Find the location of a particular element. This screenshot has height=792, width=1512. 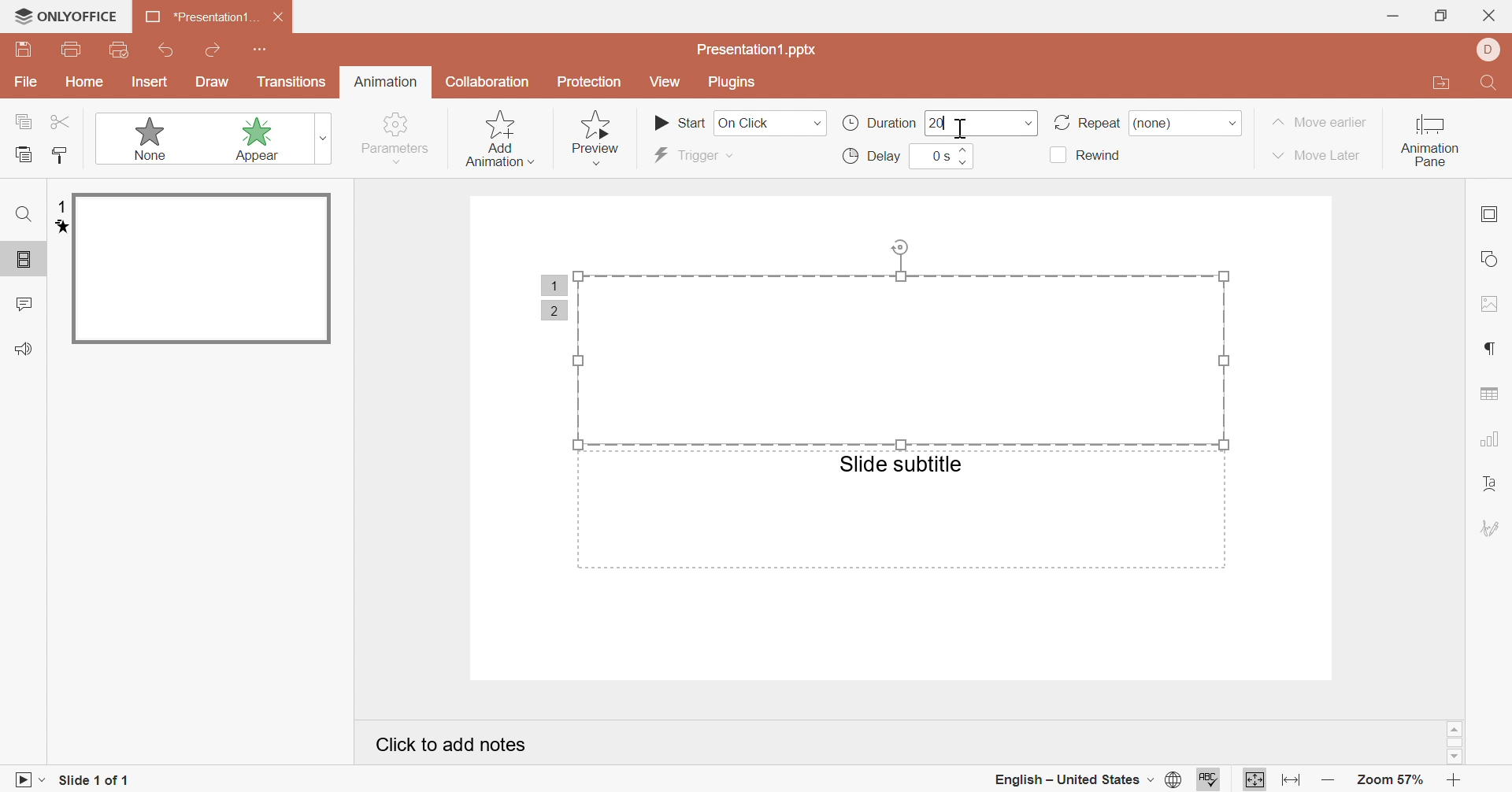

collaboration is located at coordinates (489, 83).